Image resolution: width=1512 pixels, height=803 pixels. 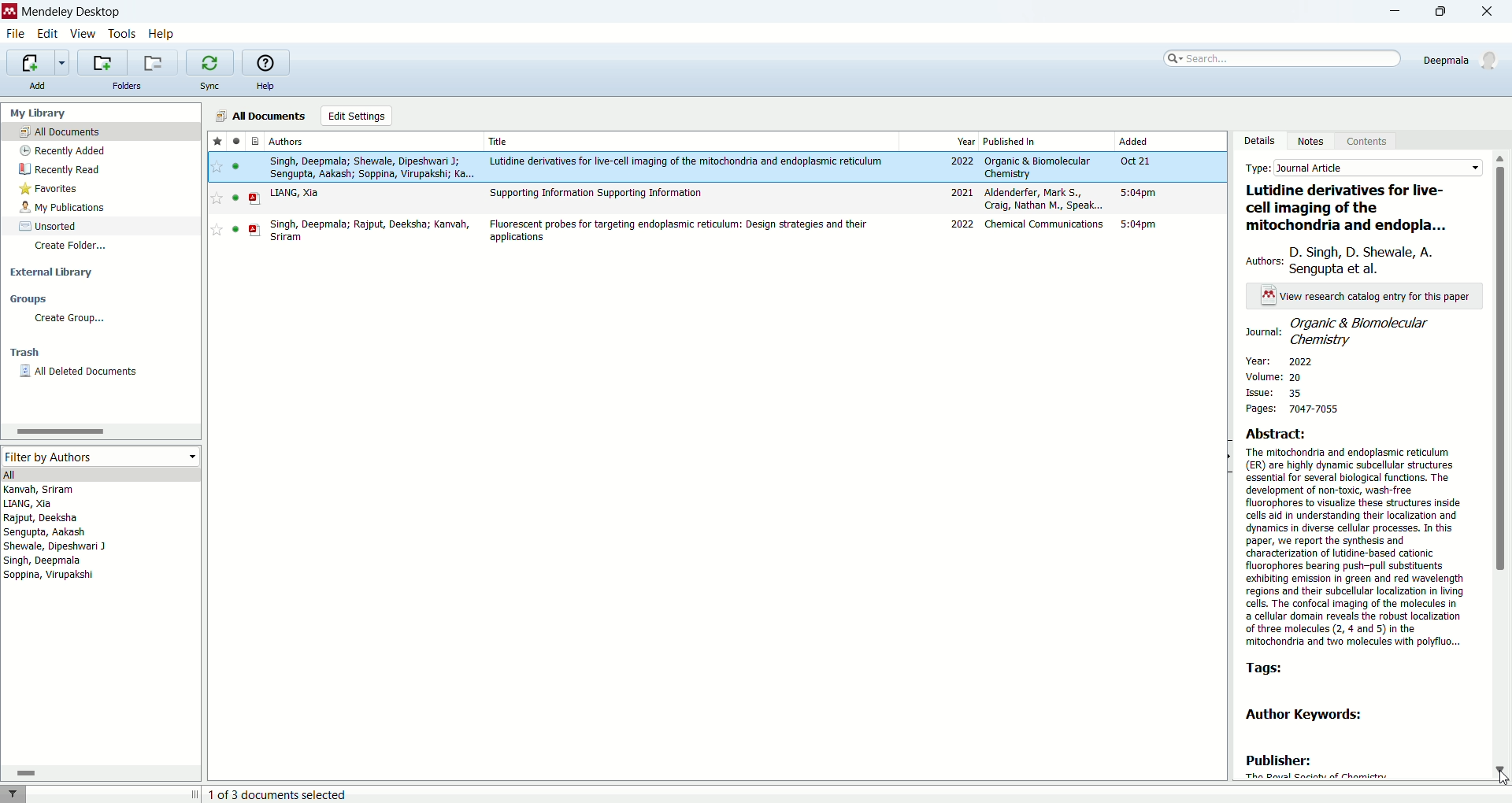 What do you see at coordinates (962, 161) in the screenshot?
I see `2022` at bounding box center [962, 161].